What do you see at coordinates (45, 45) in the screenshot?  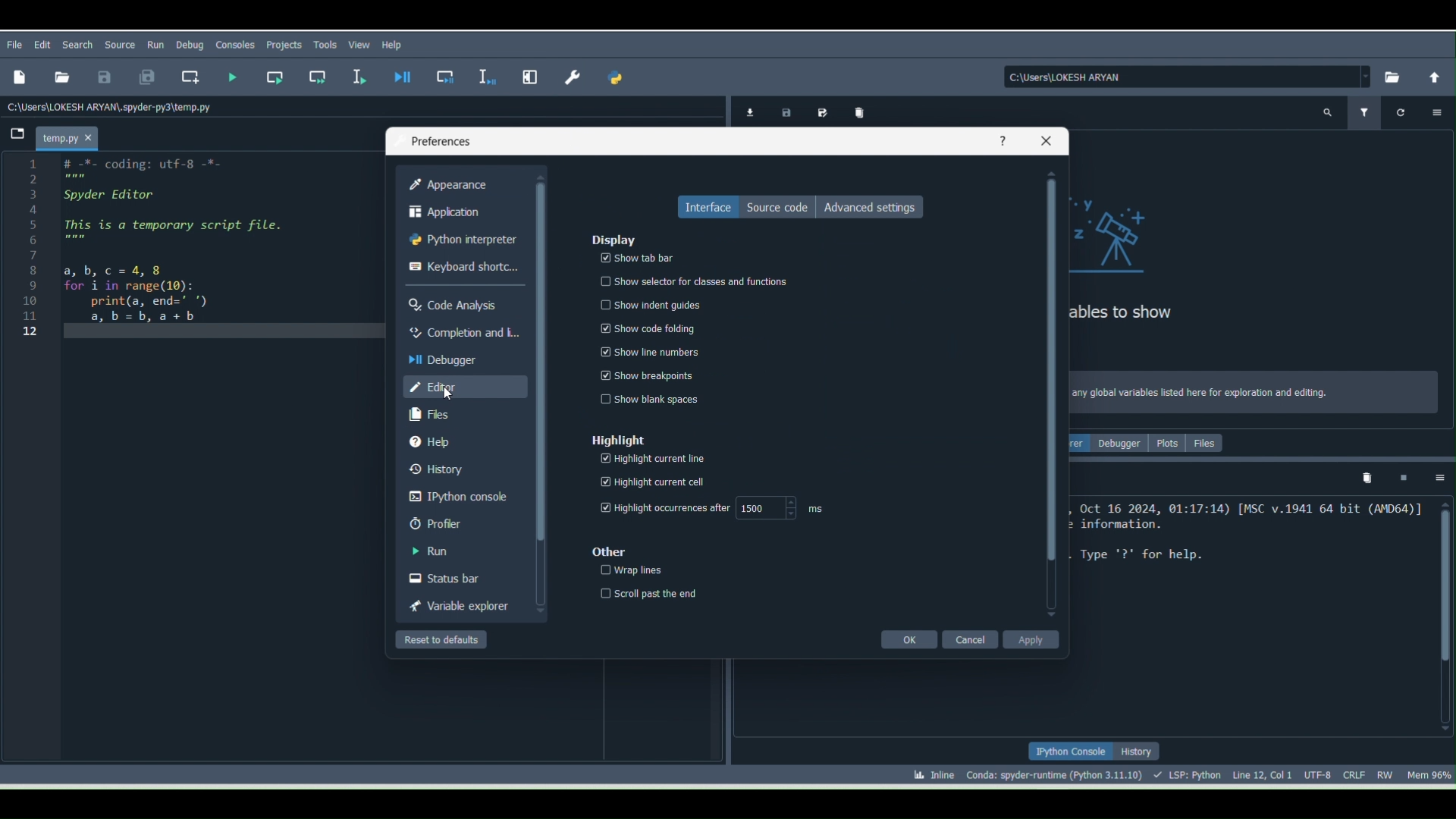 I see `Edit` at bounding box center [45, 45].